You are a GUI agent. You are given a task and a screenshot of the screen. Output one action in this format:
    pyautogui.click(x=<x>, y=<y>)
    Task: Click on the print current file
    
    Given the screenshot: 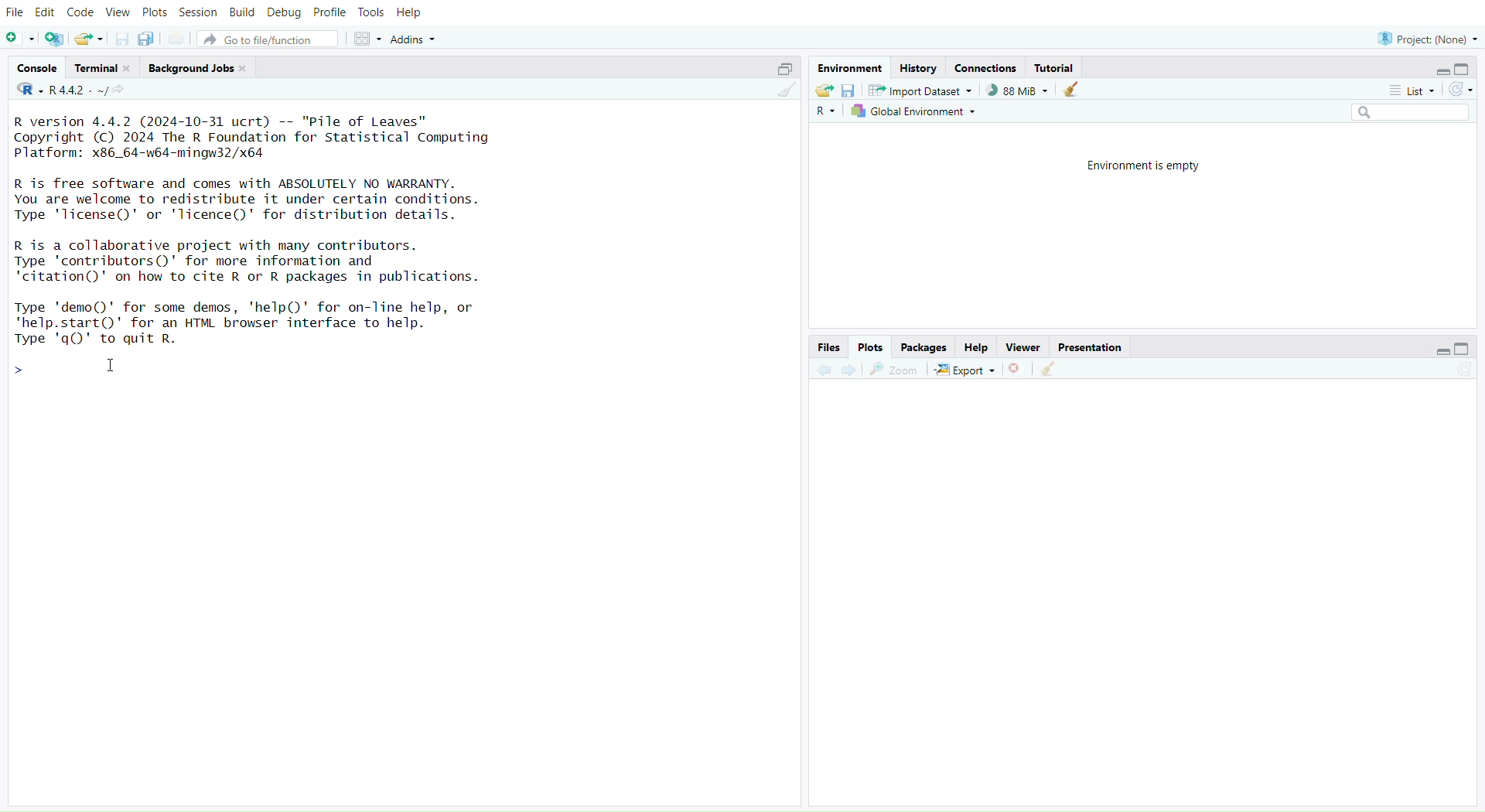 What is the action you would take?
    pyautogui.click(x=180, y=39)
    